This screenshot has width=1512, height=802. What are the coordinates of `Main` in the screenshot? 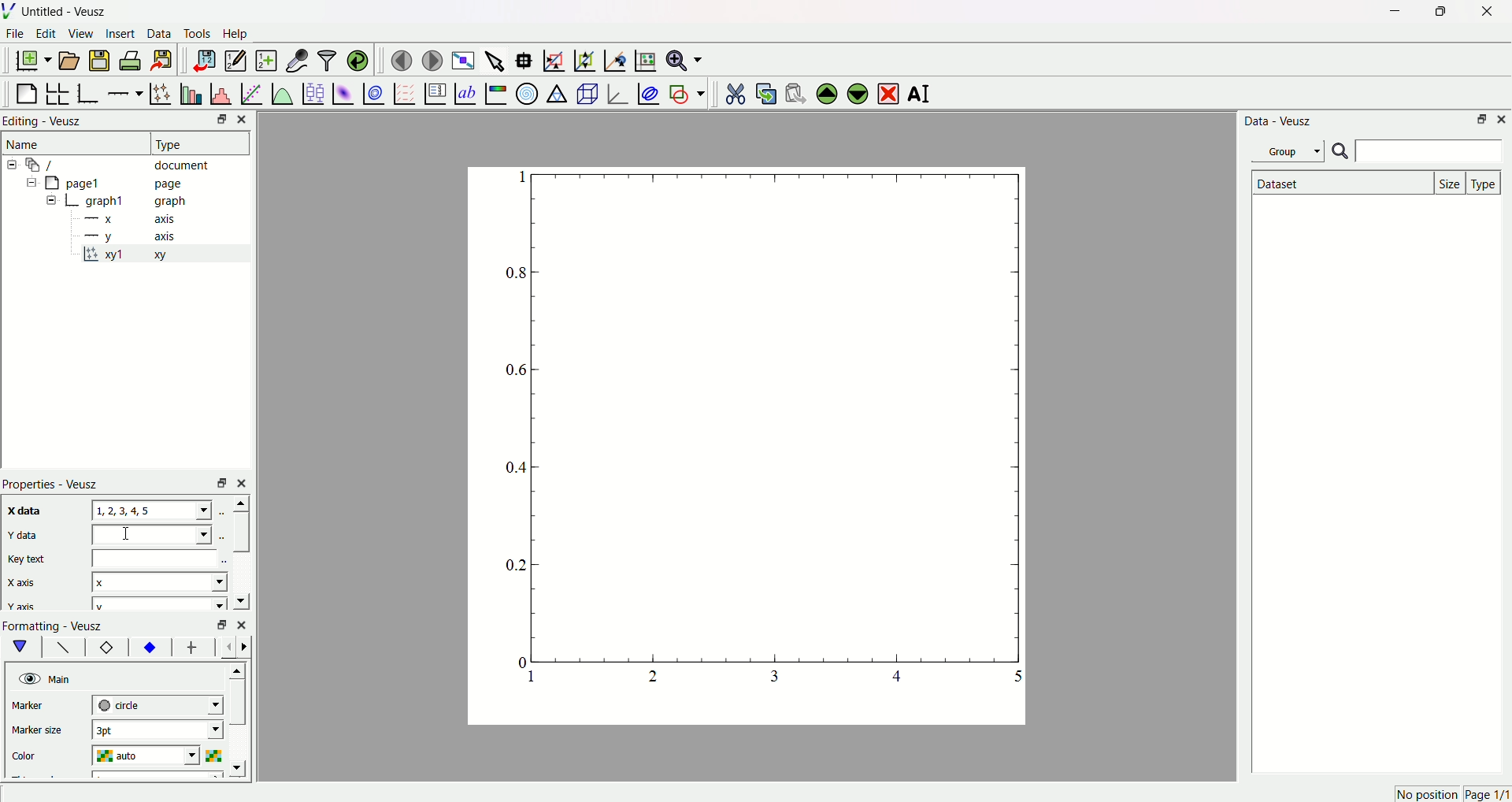 It's located at (62, 678).